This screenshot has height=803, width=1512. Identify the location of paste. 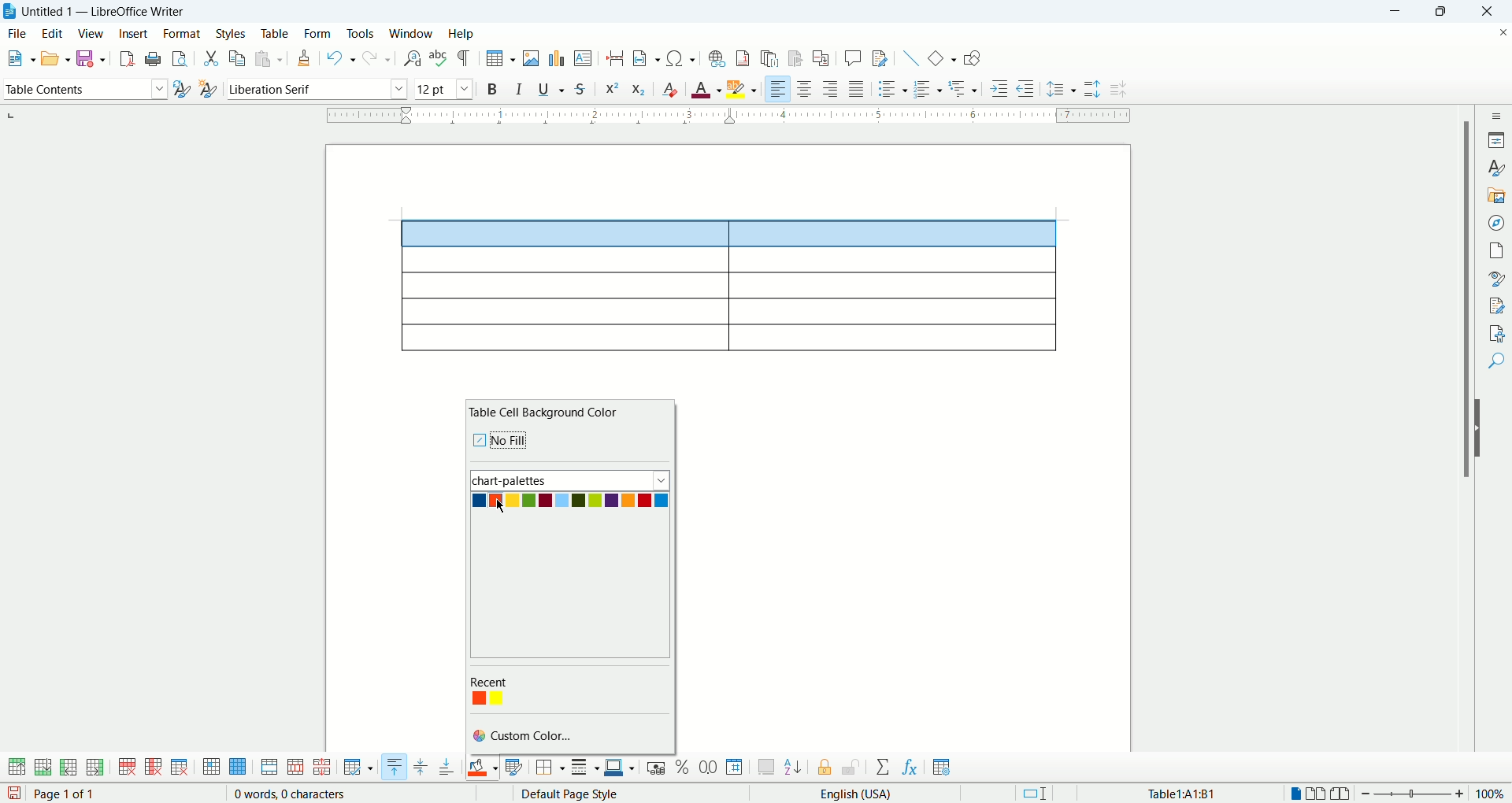
(269, 58).